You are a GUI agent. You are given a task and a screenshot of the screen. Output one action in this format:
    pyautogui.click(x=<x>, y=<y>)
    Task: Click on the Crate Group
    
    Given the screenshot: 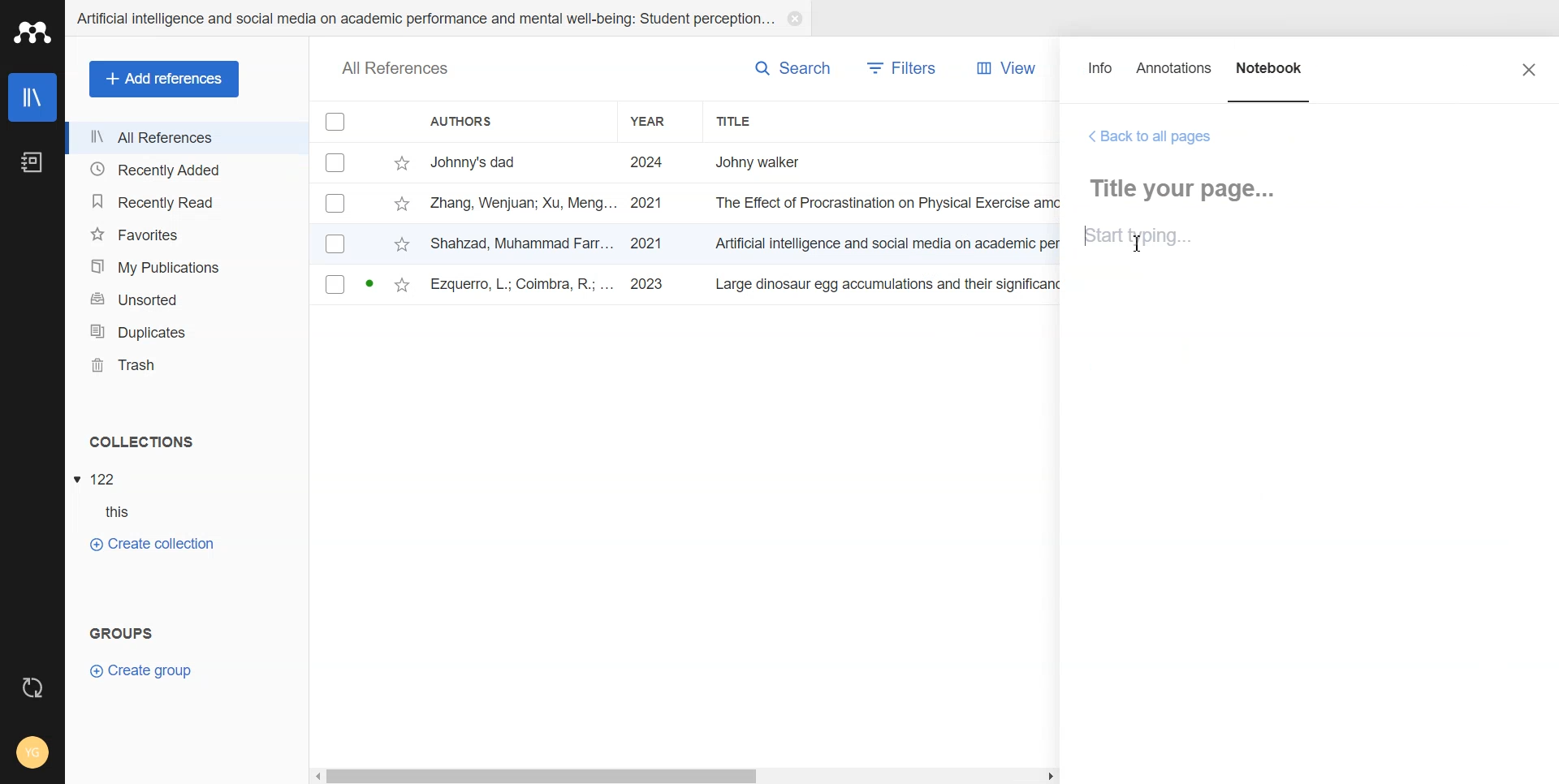 What is the action you would take?
    pyautogui.click(x=141, y=670)
    